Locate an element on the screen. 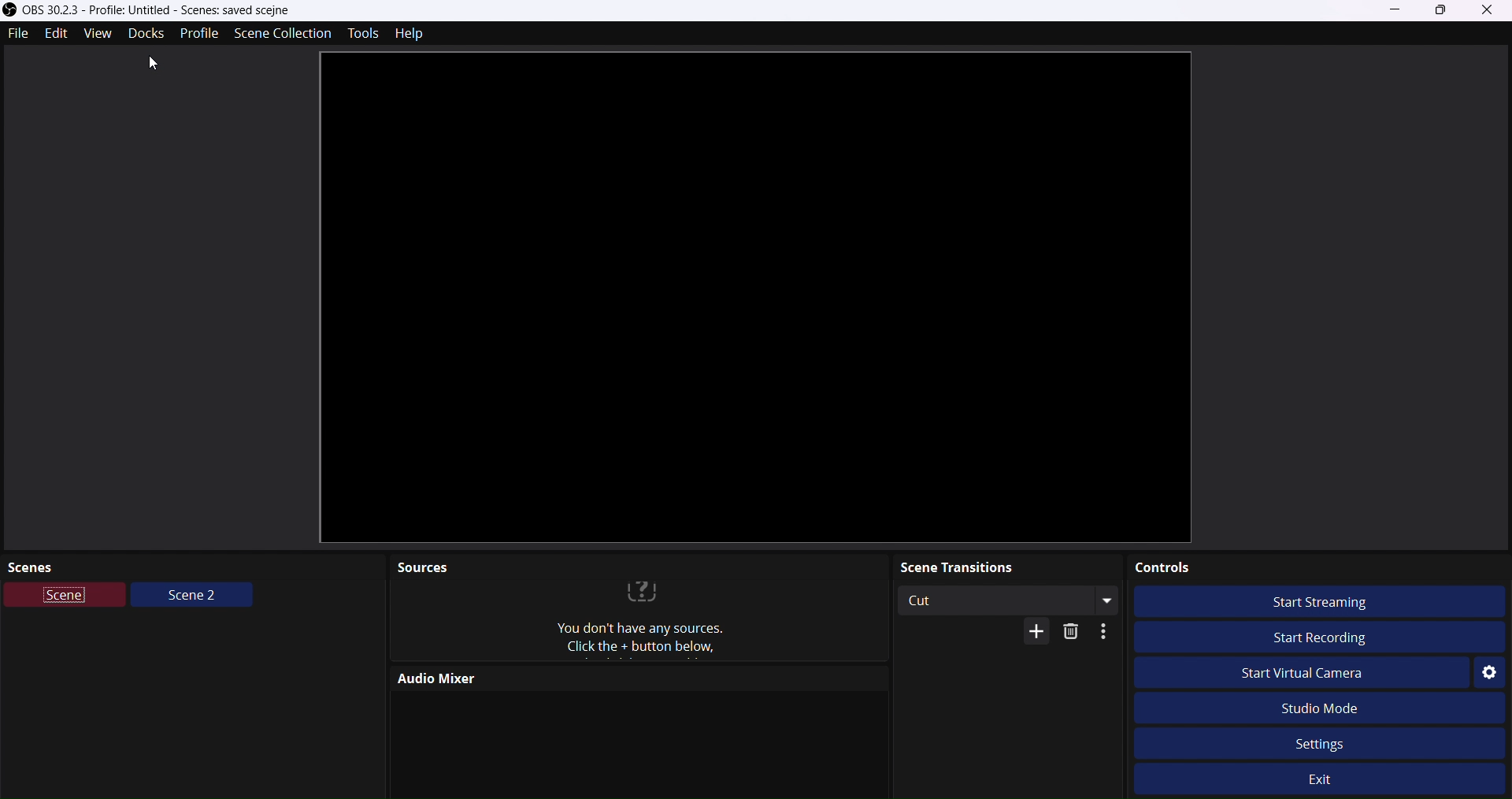 The width and height of the screenshot is (1512, 799). Help is located at coordinates (413, 34).